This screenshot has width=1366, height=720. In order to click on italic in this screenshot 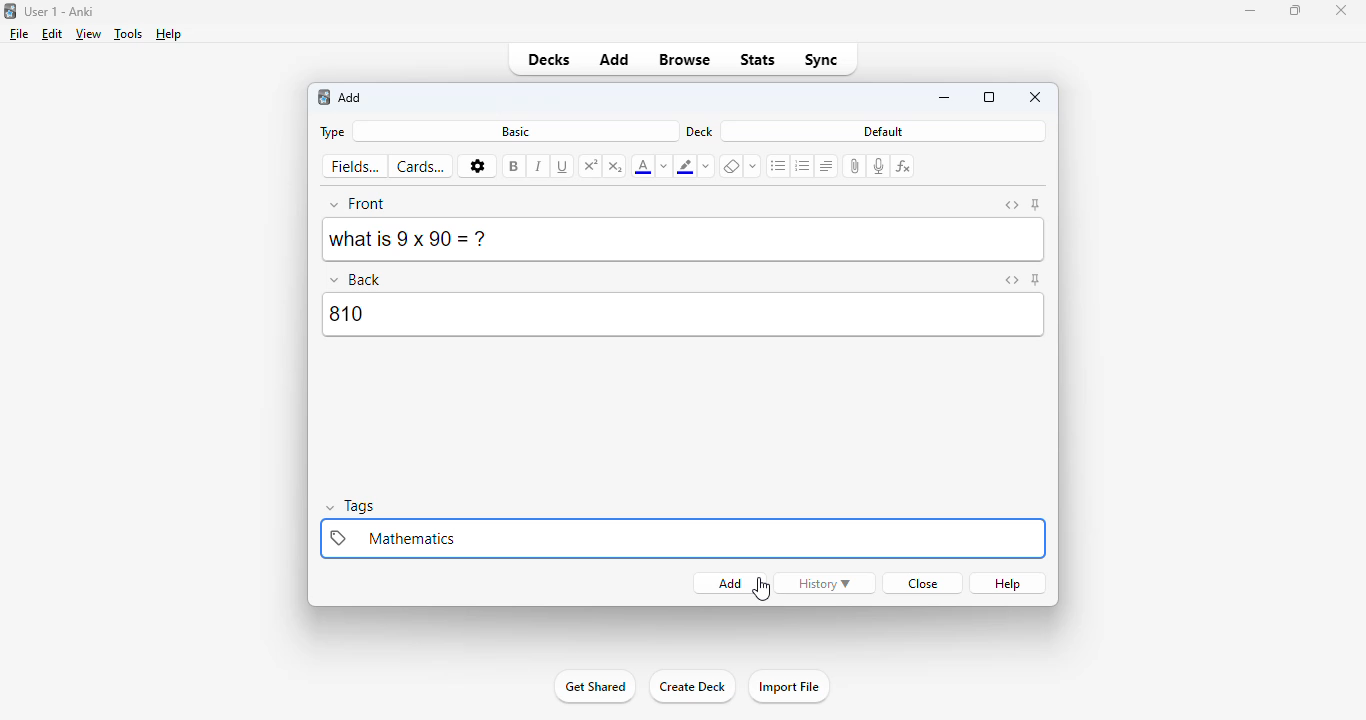, I will do `click(539, 166)`.